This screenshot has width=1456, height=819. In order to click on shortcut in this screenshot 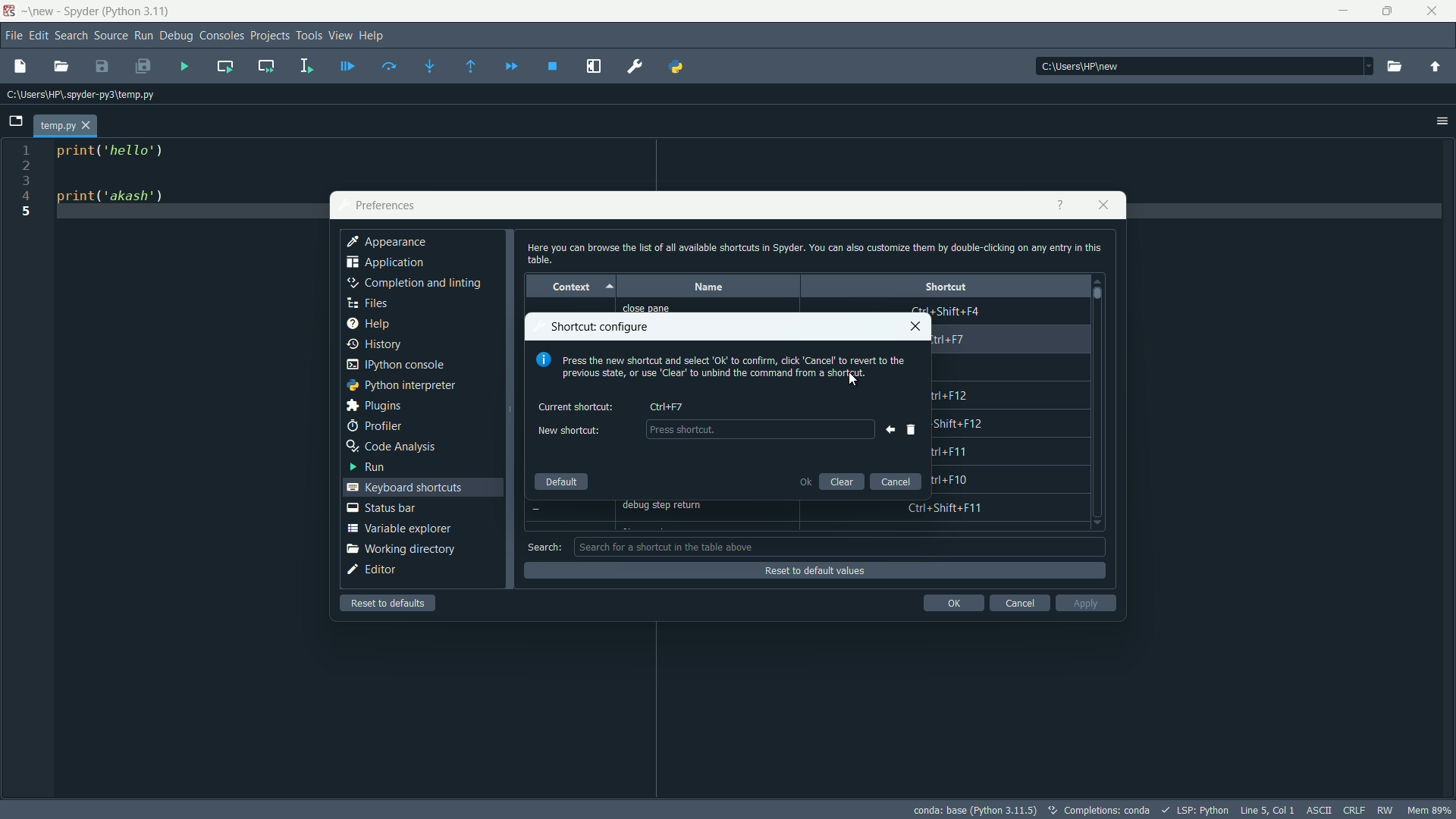, I will do `click(946, 286)`.